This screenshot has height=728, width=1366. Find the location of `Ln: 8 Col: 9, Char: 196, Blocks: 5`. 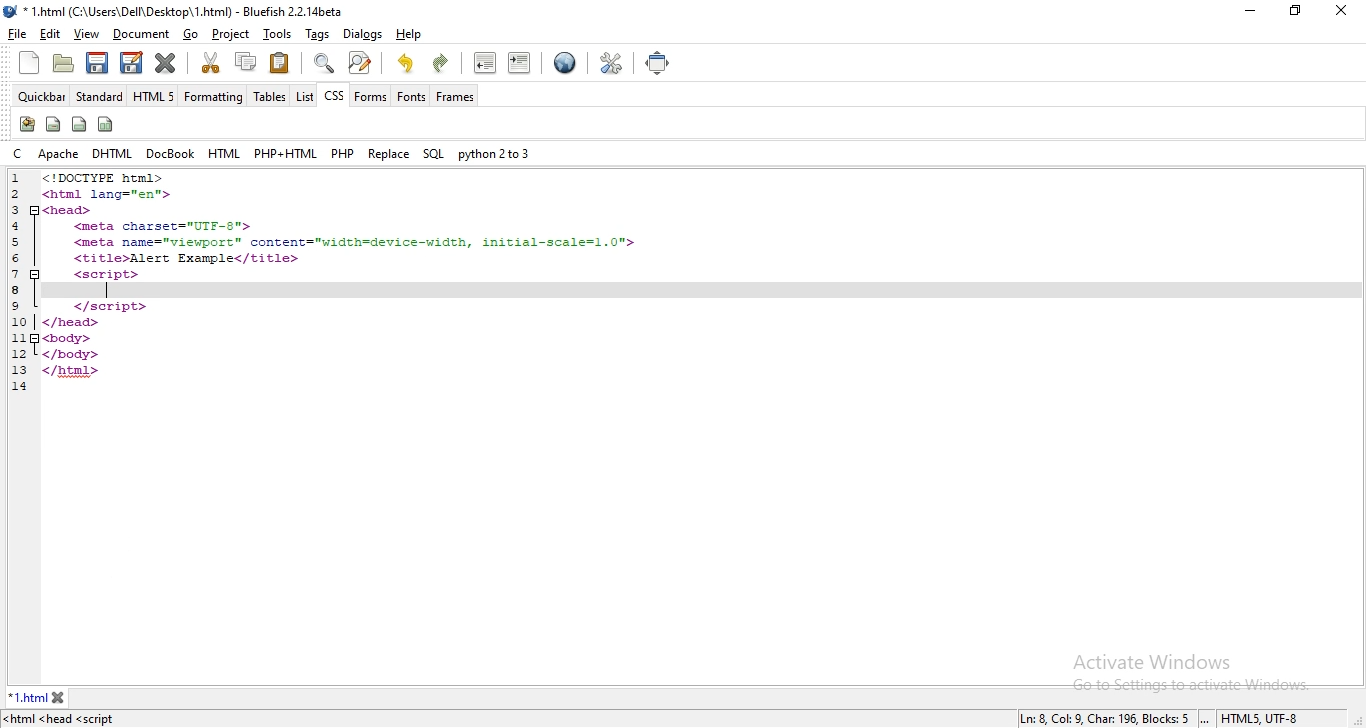

Ln: 8 Col: 9, Char: 196, Blocks: 5 is located at coordinates (1107, 719).